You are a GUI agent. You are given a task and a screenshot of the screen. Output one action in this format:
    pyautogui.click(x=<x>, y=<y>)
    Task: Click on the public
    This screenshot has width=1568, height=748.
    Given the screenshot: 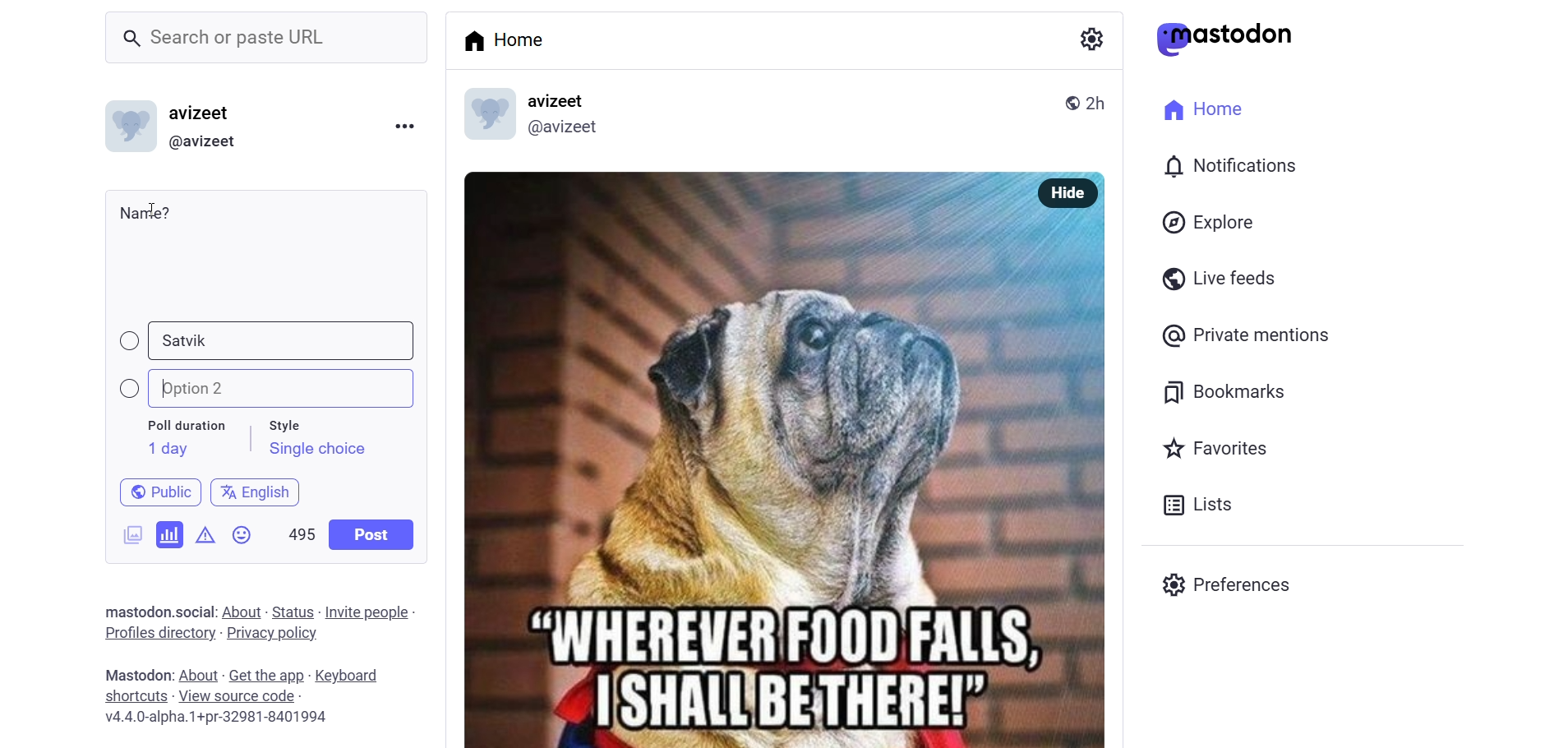 What is the action you would take?
    pyautogui.click(x=1066, y=101)
    